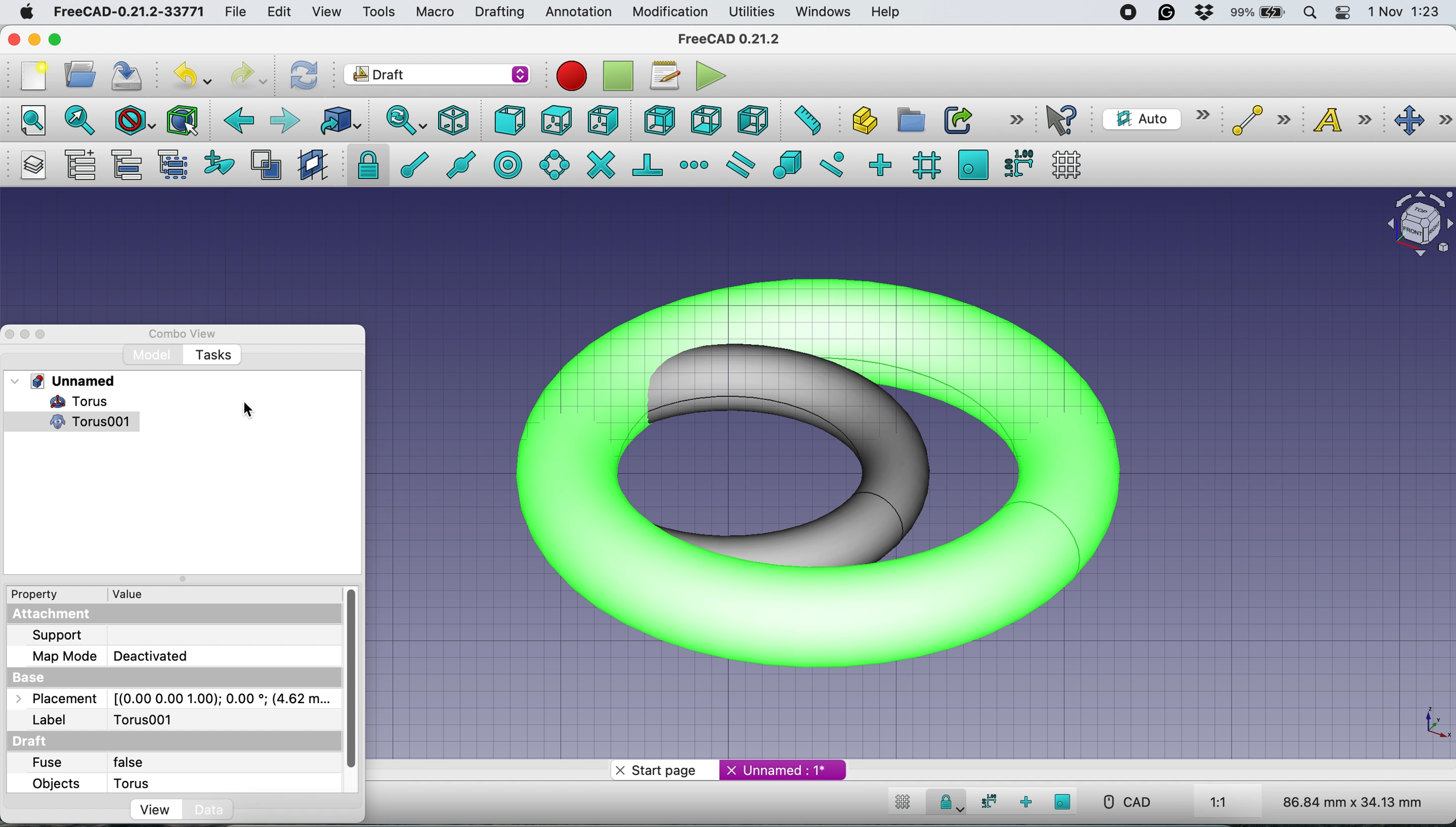 This screenshot has width=1456, height=827. Describe the element at coordinates (711, 76) in the screenshot. I see `execute macros` at that location.